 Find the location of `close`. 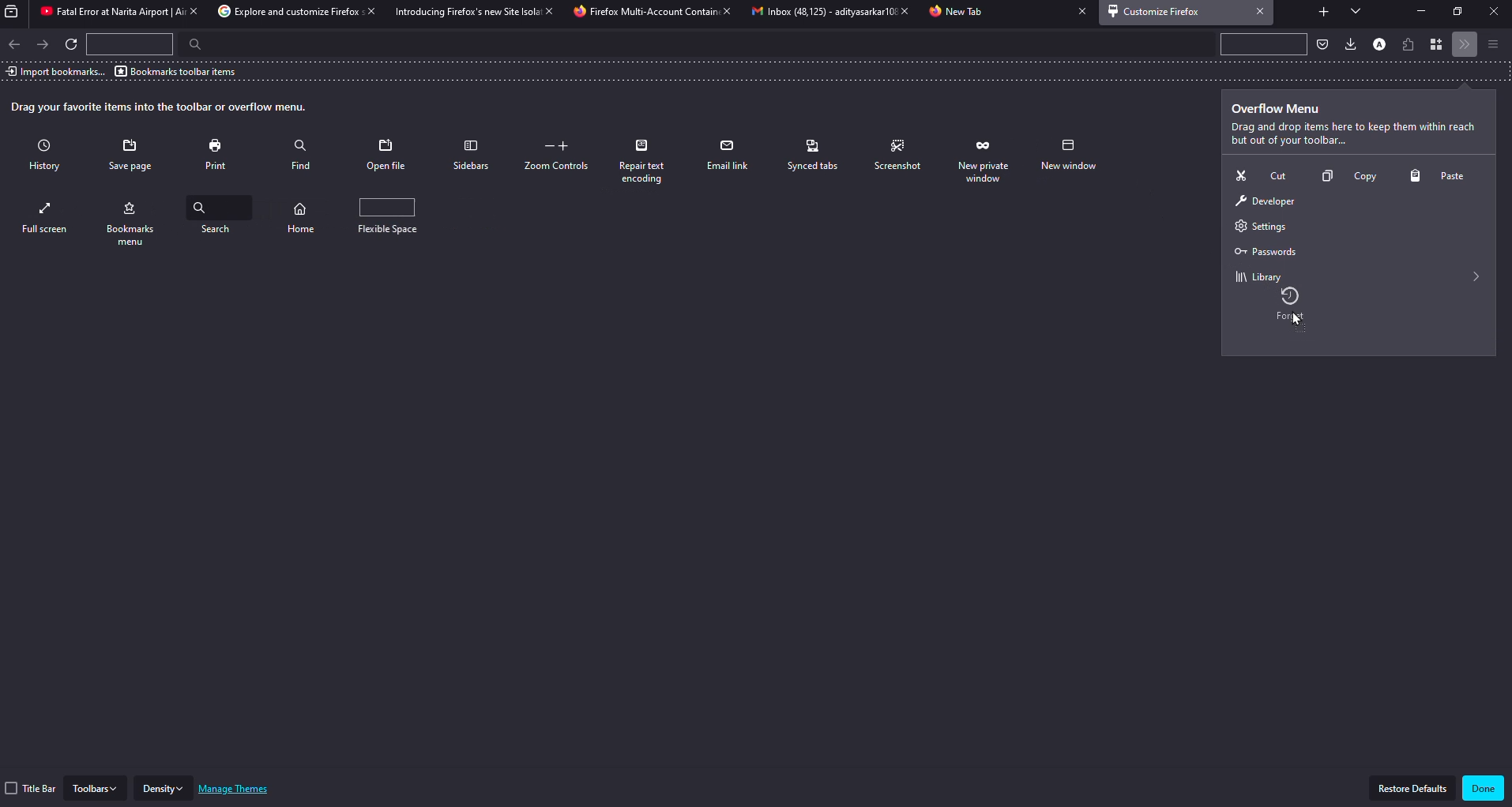

close is located at coordinates (900, 11).